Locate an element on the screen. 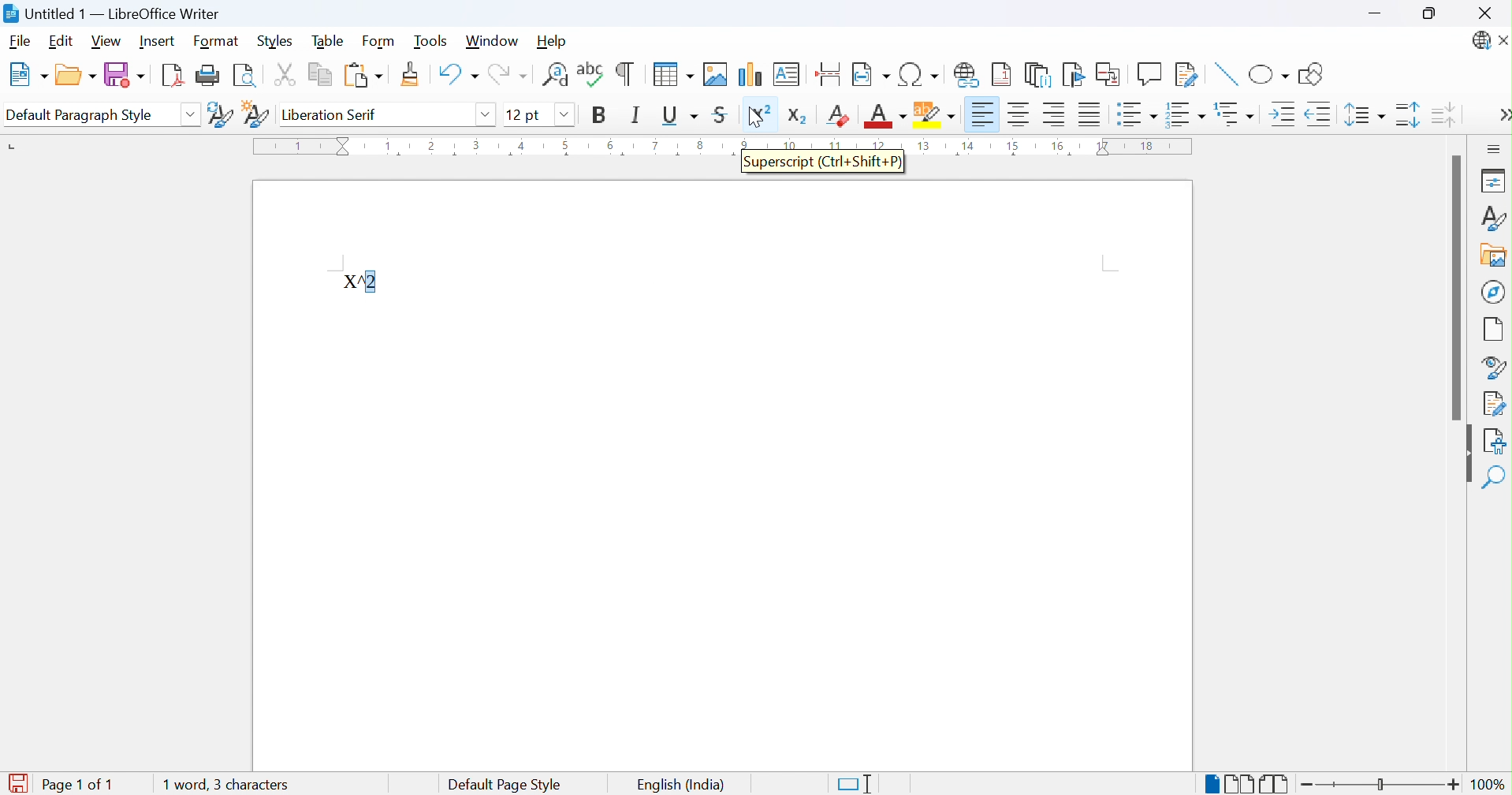 The image size is (1512, 795). File is located at coordinates (19, 42).